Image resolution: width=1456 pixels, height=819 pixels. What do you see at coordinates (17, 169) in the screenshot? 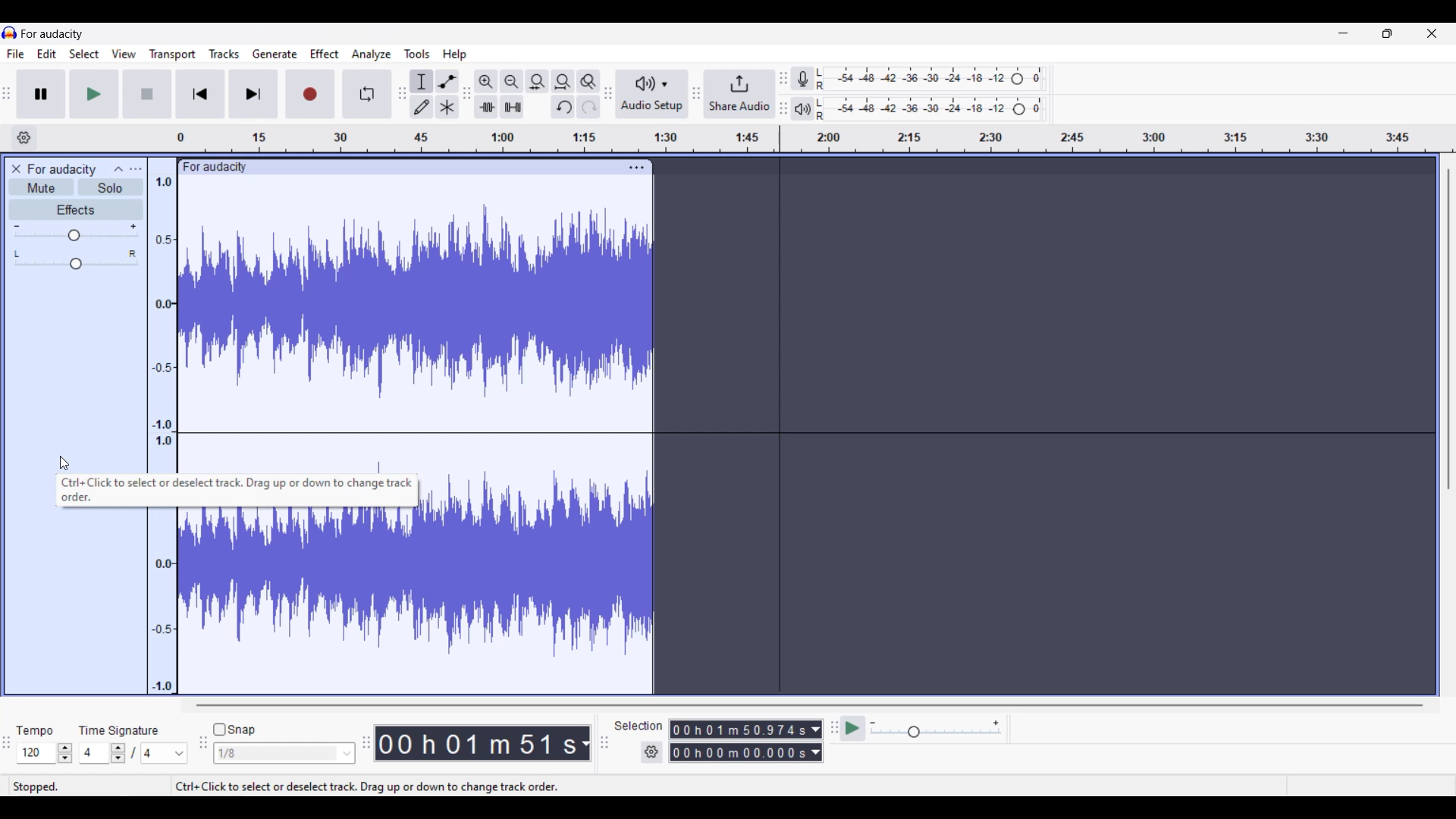
I see `Close track` at bounding box center [17, 169].